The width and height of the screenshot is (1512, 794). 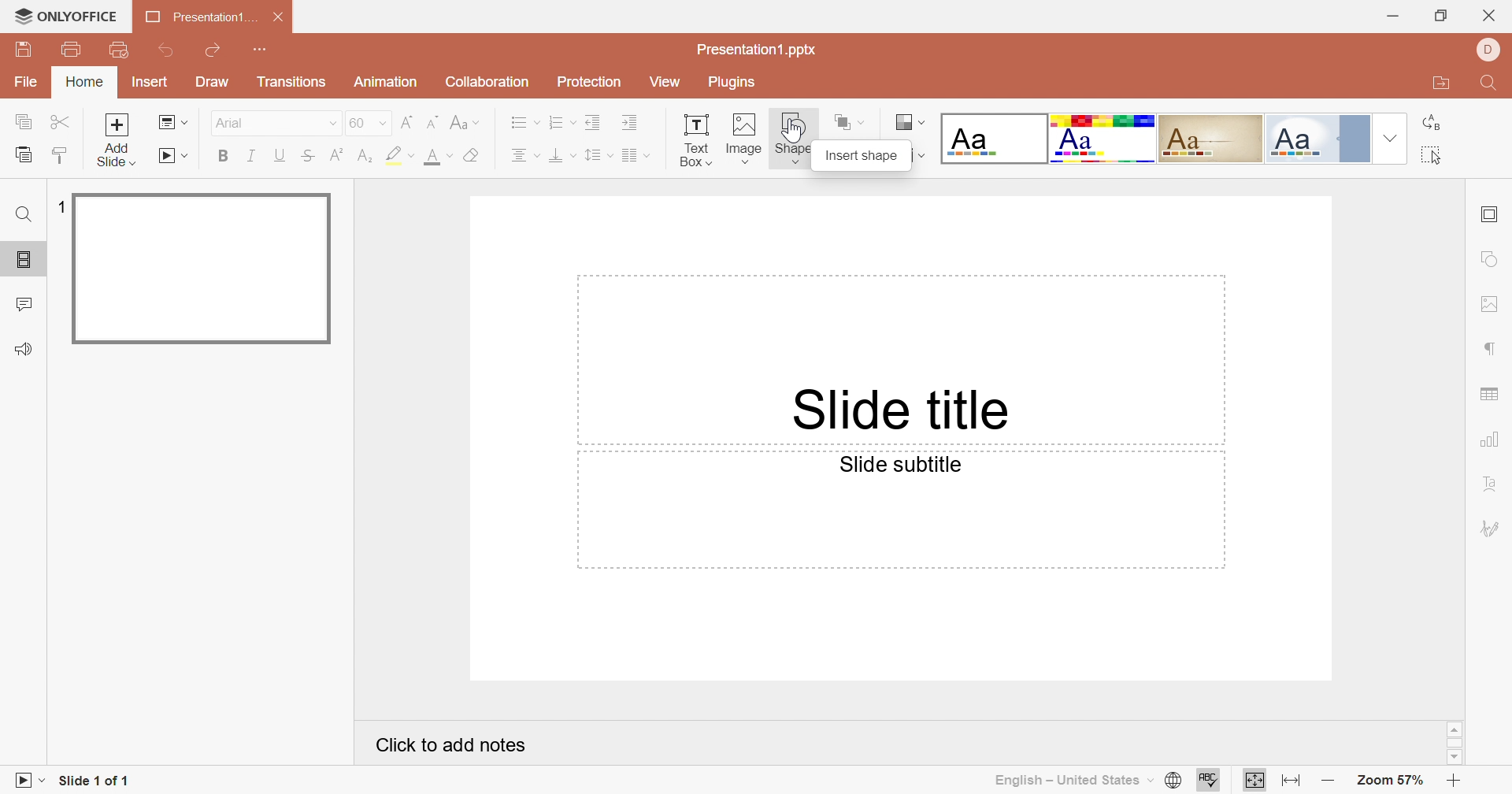 What do you see at coordinates (339, 154) in the screenshot?
I see `Superscript` at bounding box center [339, 154].